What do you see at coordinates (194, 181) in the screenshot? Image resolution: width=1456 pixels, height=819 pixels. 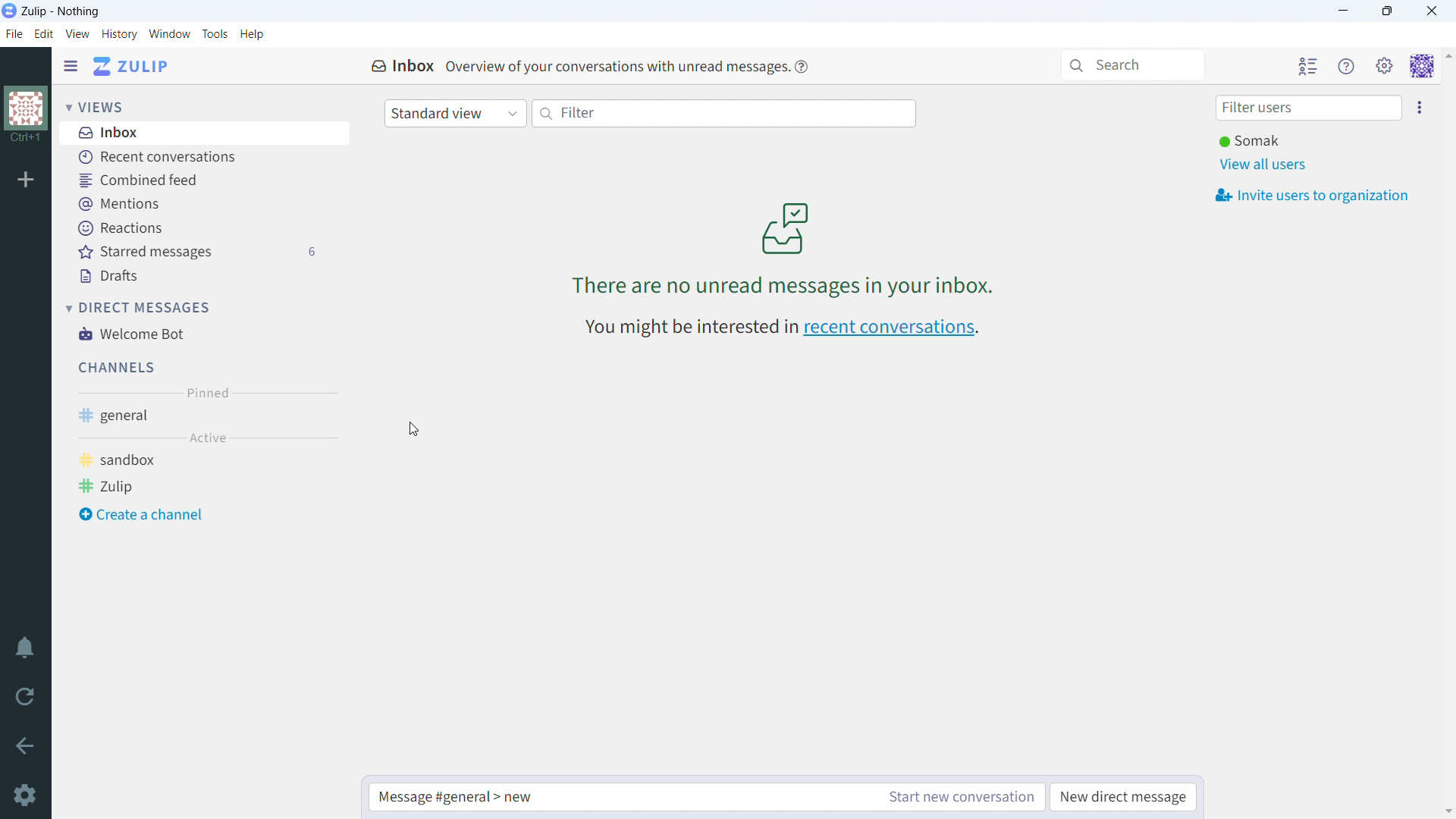 I see `combined feed` at bounding box center [194, 181].